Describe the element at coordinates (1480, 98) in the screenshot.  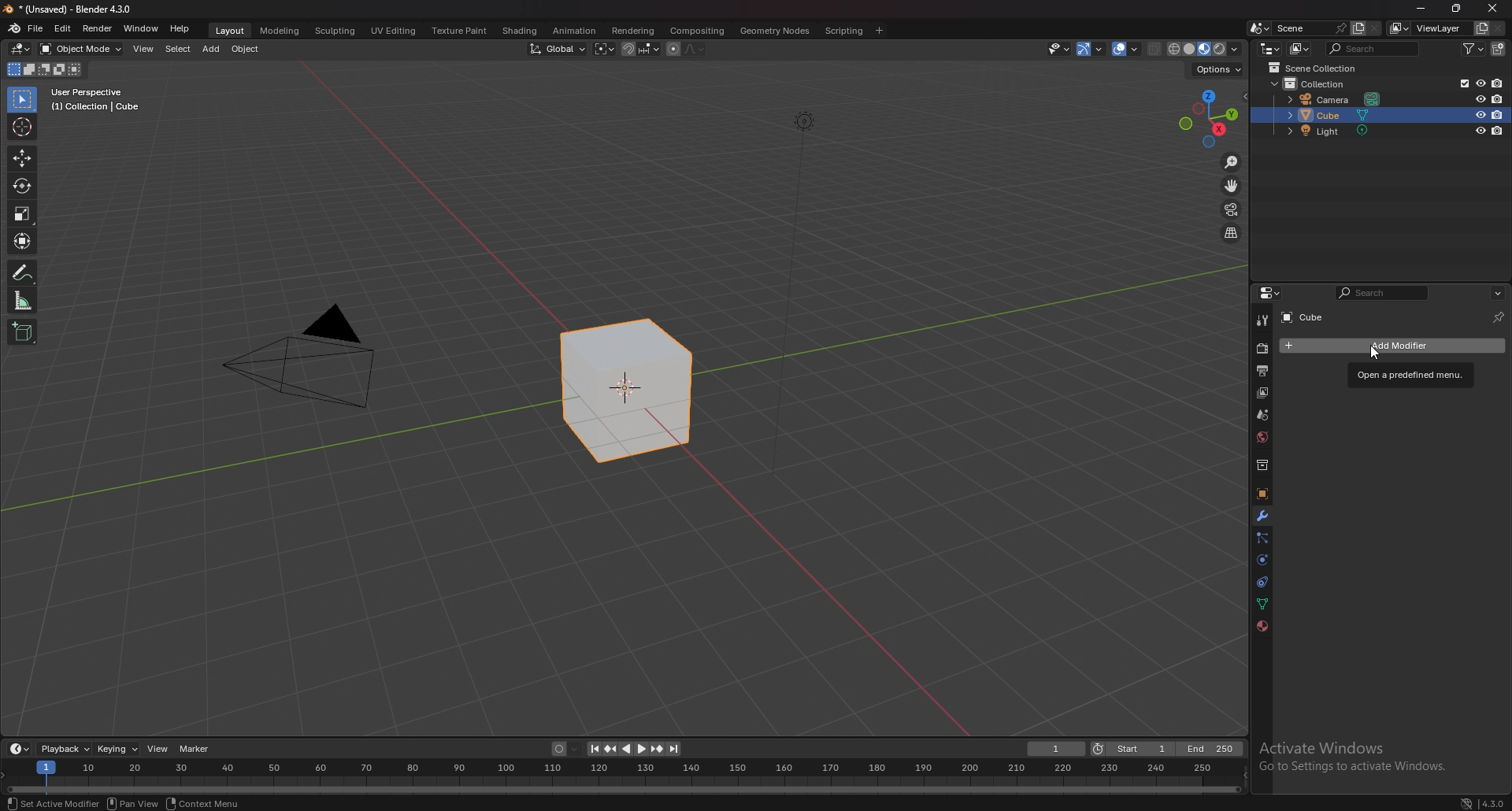
I see `hide in viewport` at that location.